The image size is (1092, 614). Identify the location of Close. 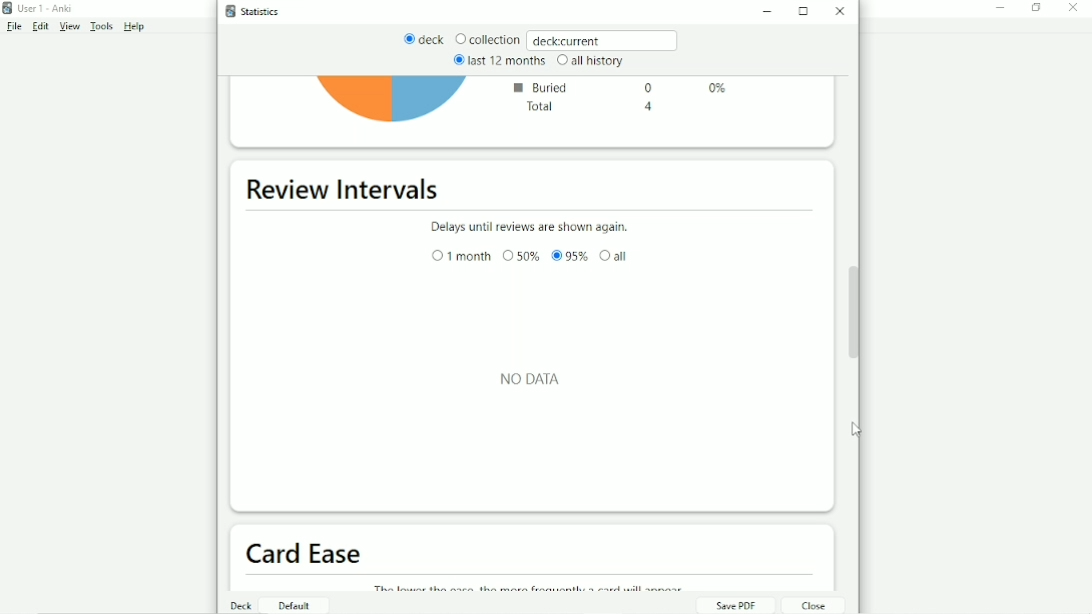
(842, 11).